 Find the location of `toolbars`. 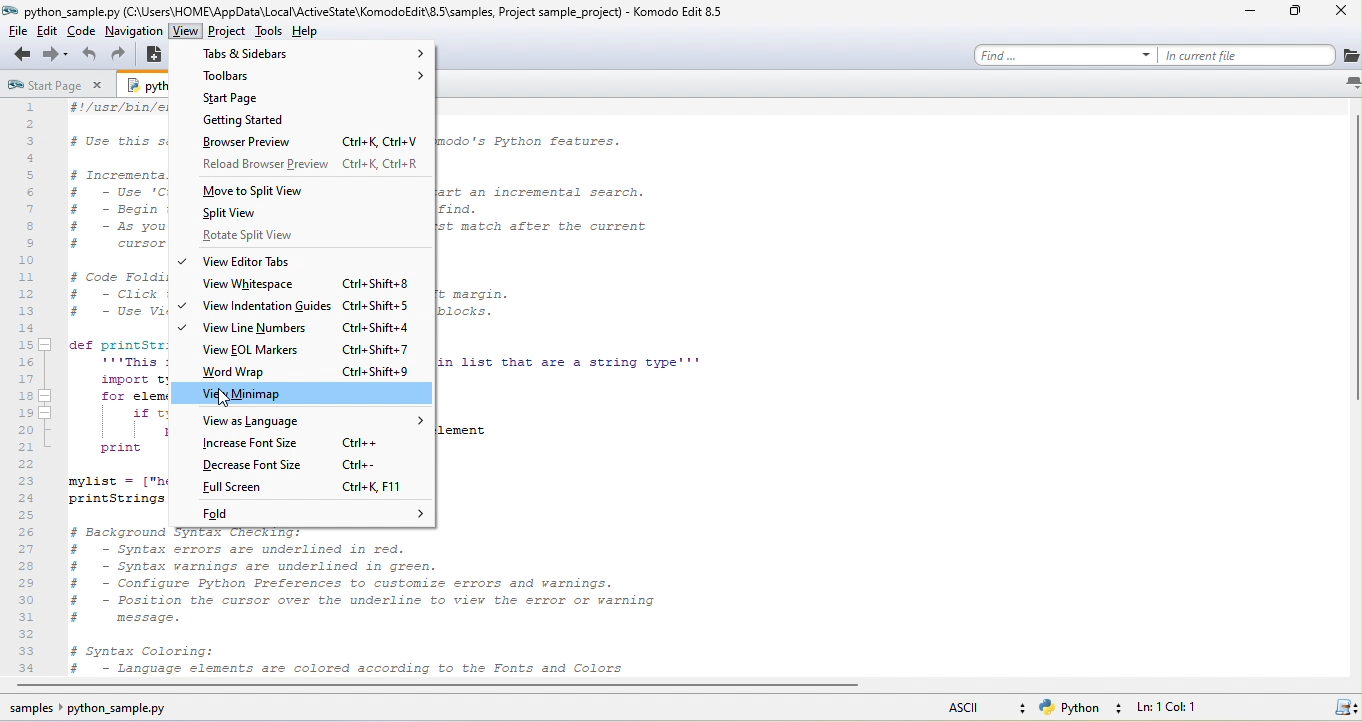

toolbars is located at coordinates (312, 78).